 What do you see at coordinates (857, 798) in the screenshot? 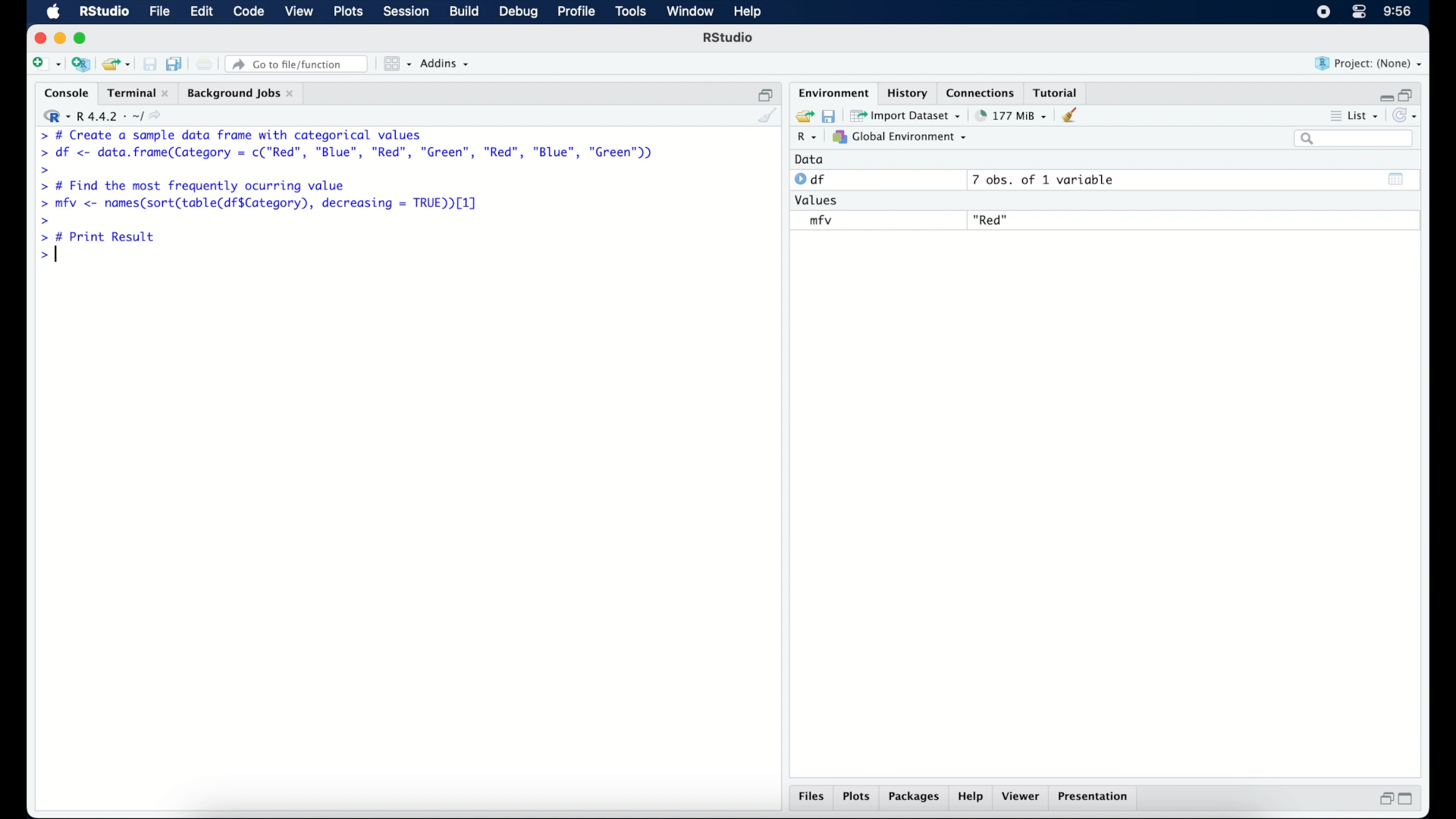
I see `plots` at bounding box center [857, 798].